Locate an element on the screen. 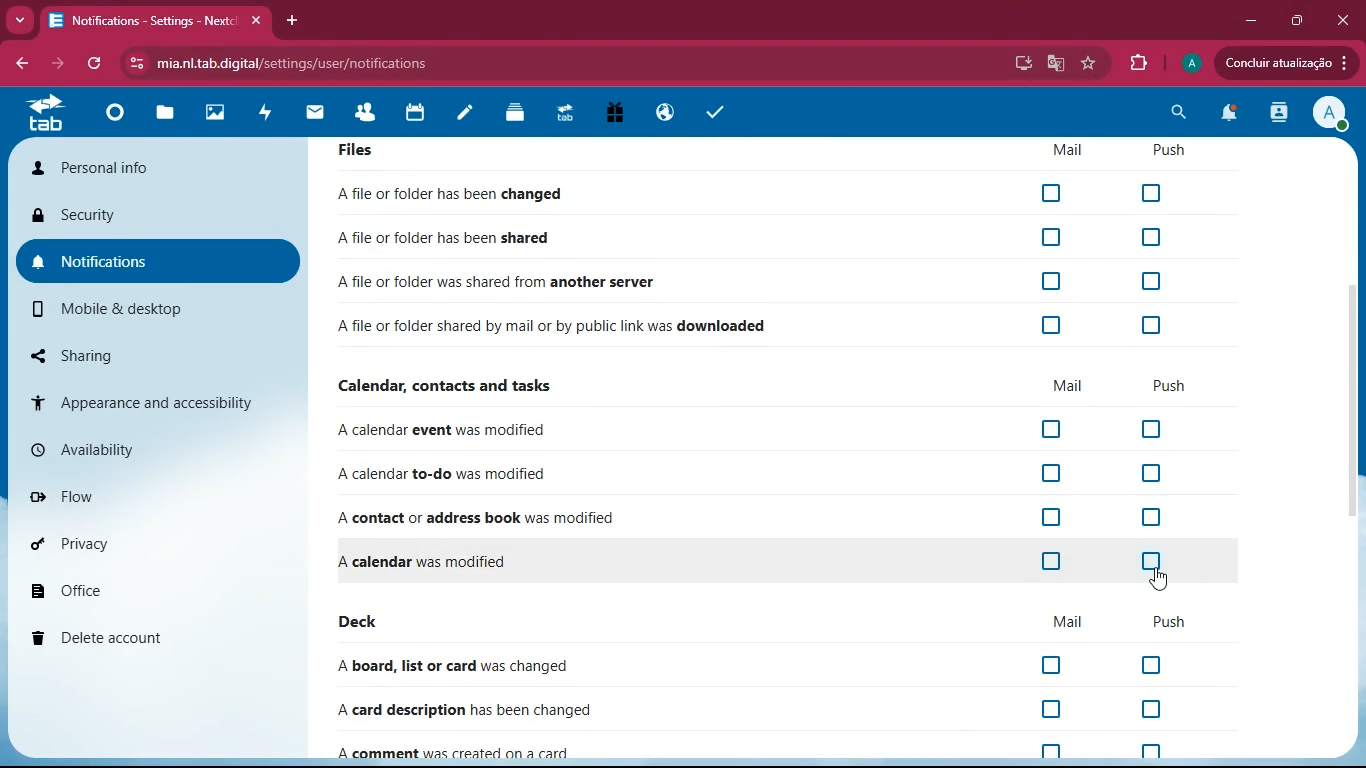 The width and height of the screenshot is (1366, 768). availability is located at coordinates (141, 449).